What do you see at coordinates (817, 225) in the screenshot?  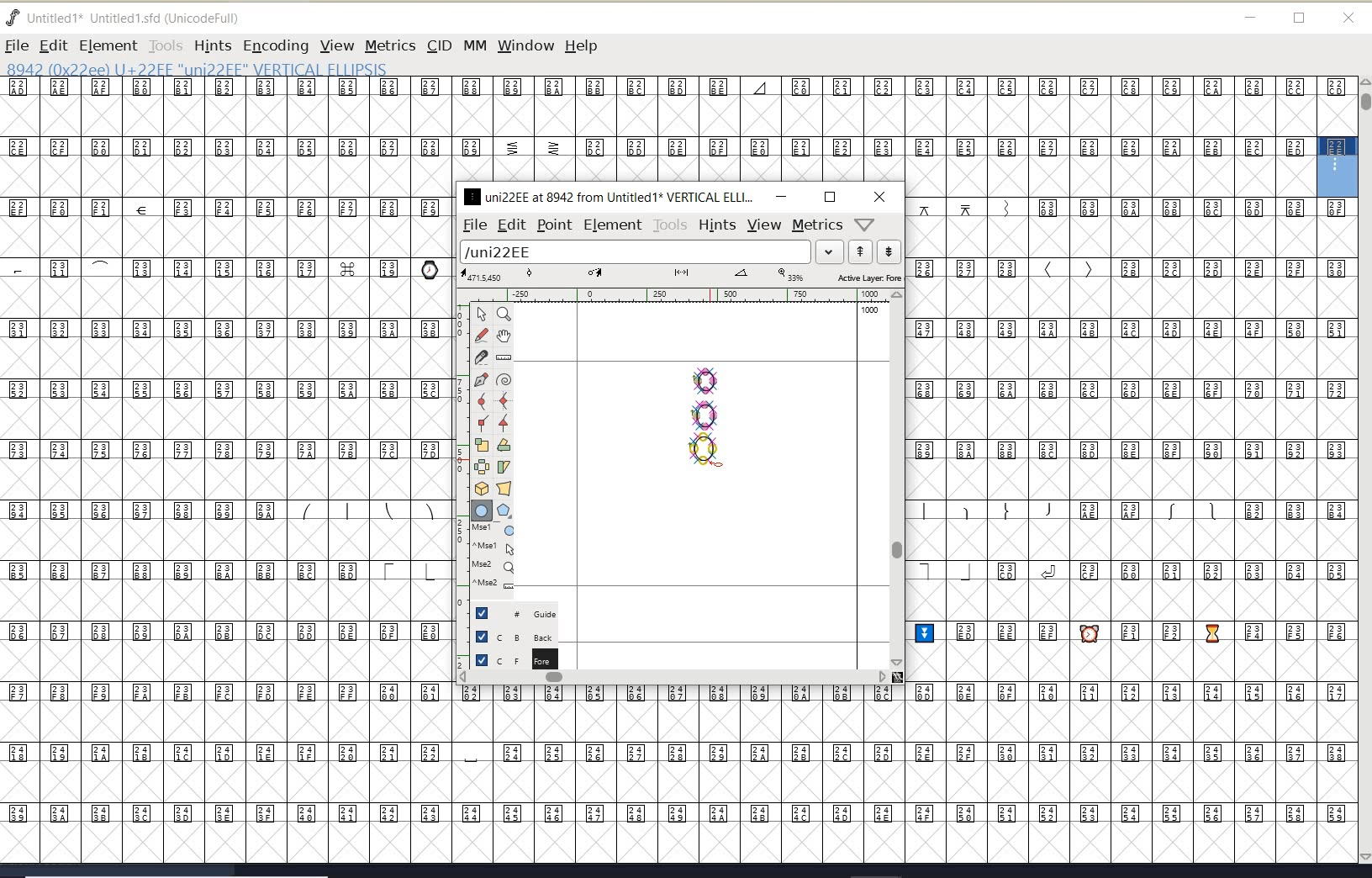 I see `metrics` at bounding box center [817, 225].